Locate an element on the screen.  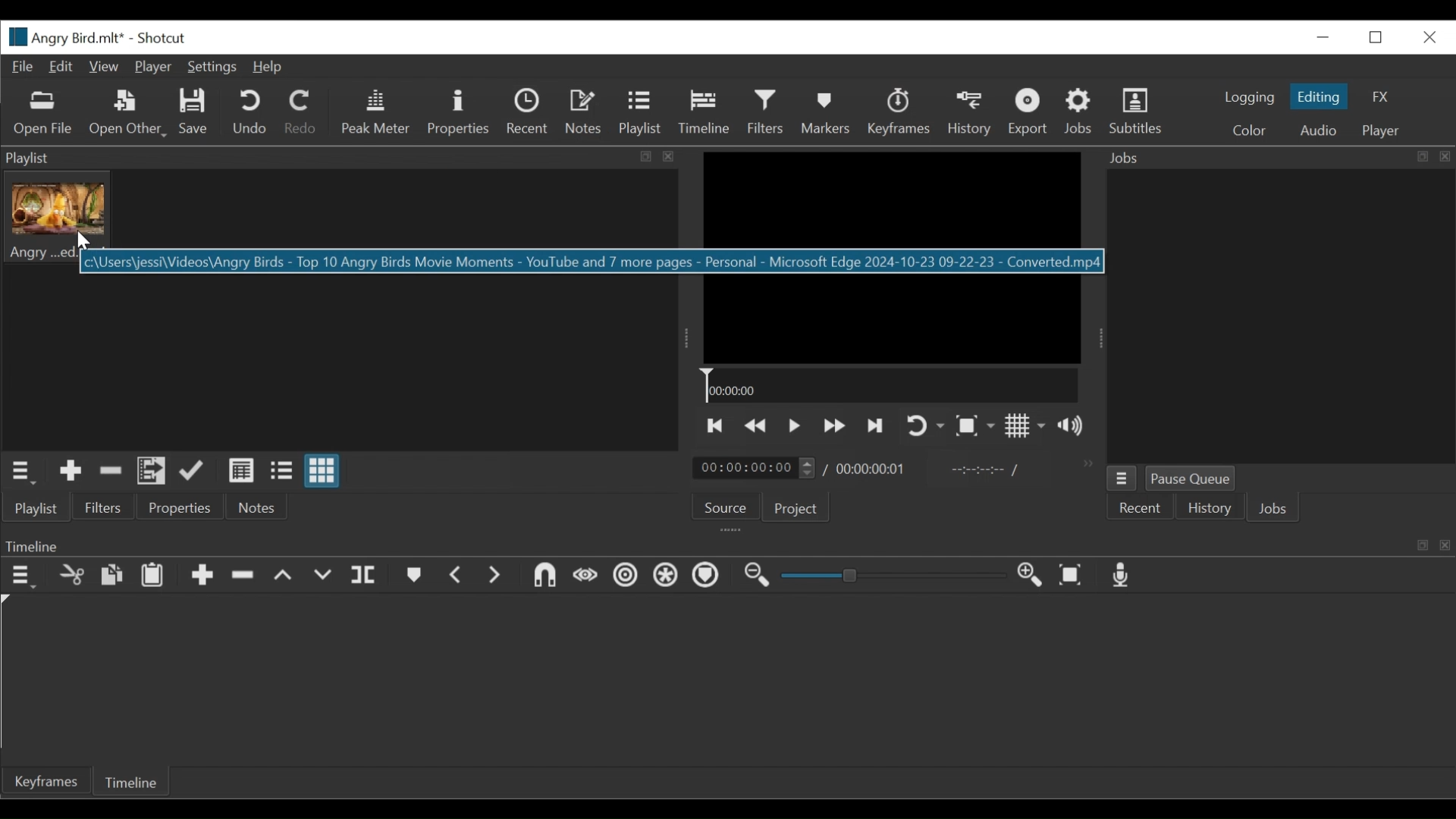
Scrub while dragging is located at coordinates (586, 576).